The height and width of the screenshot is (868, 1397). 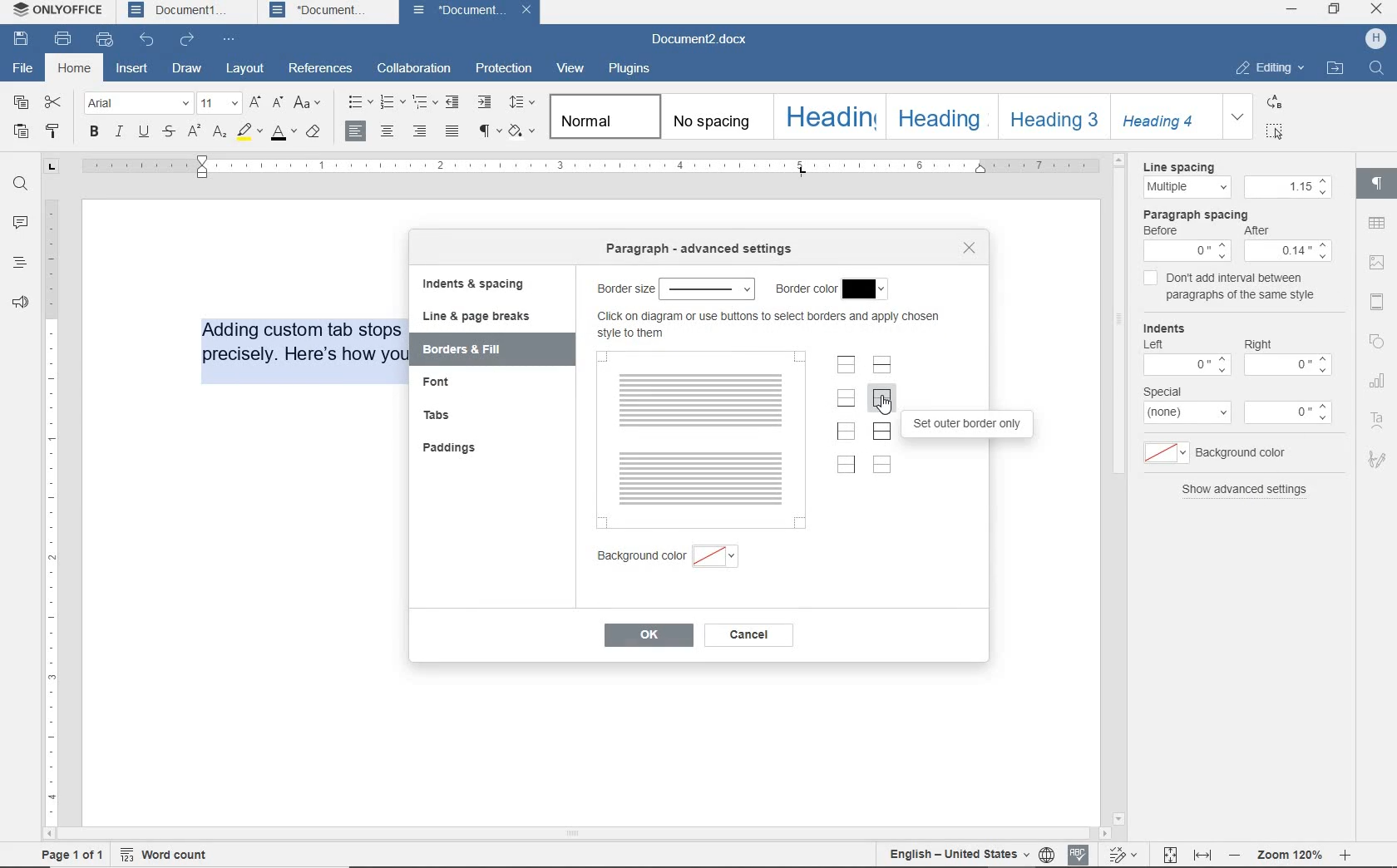 I want to click on background, so click(x=639, y=555).